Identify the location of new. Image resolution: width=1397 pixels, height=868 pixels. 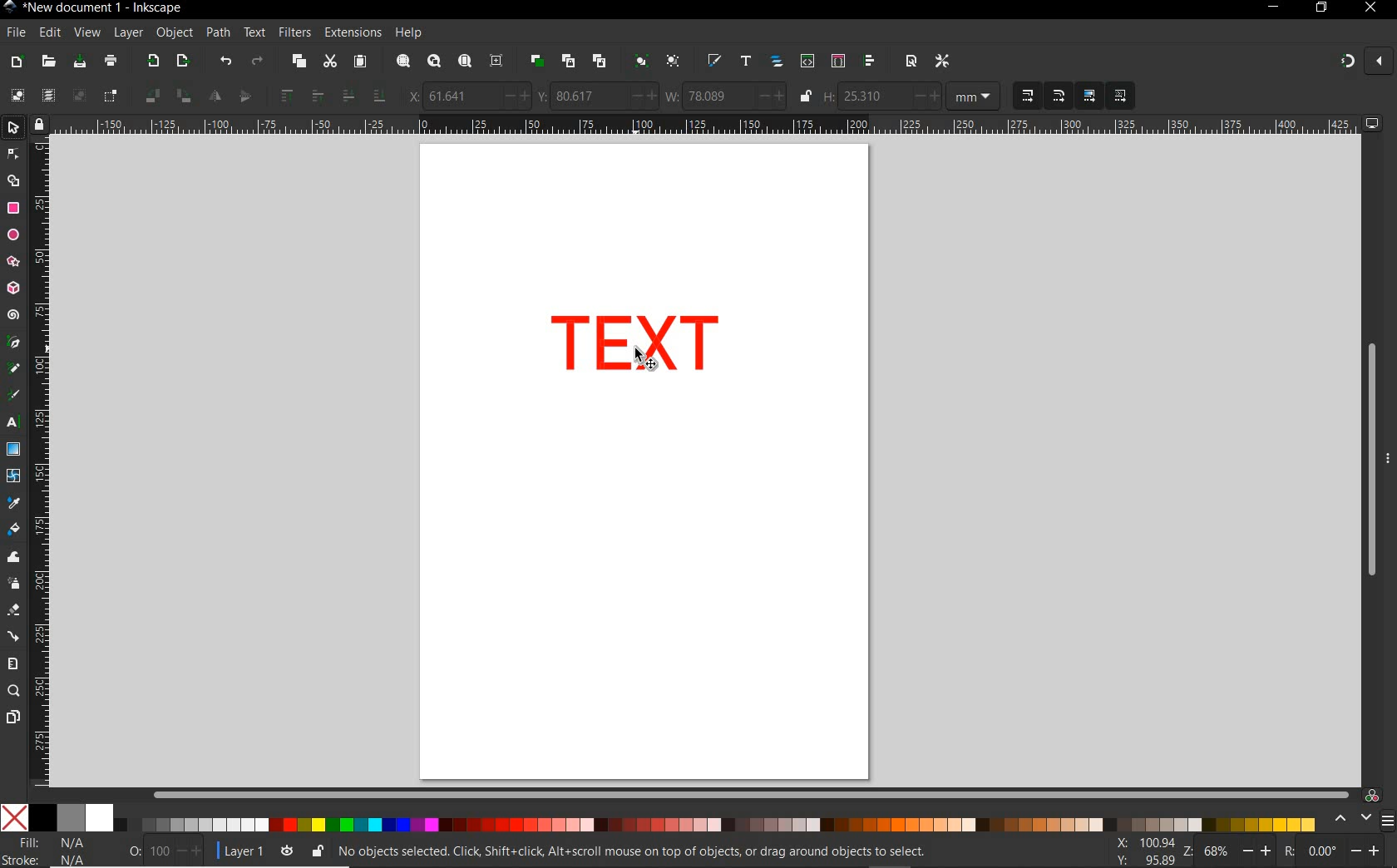
(17, 61).